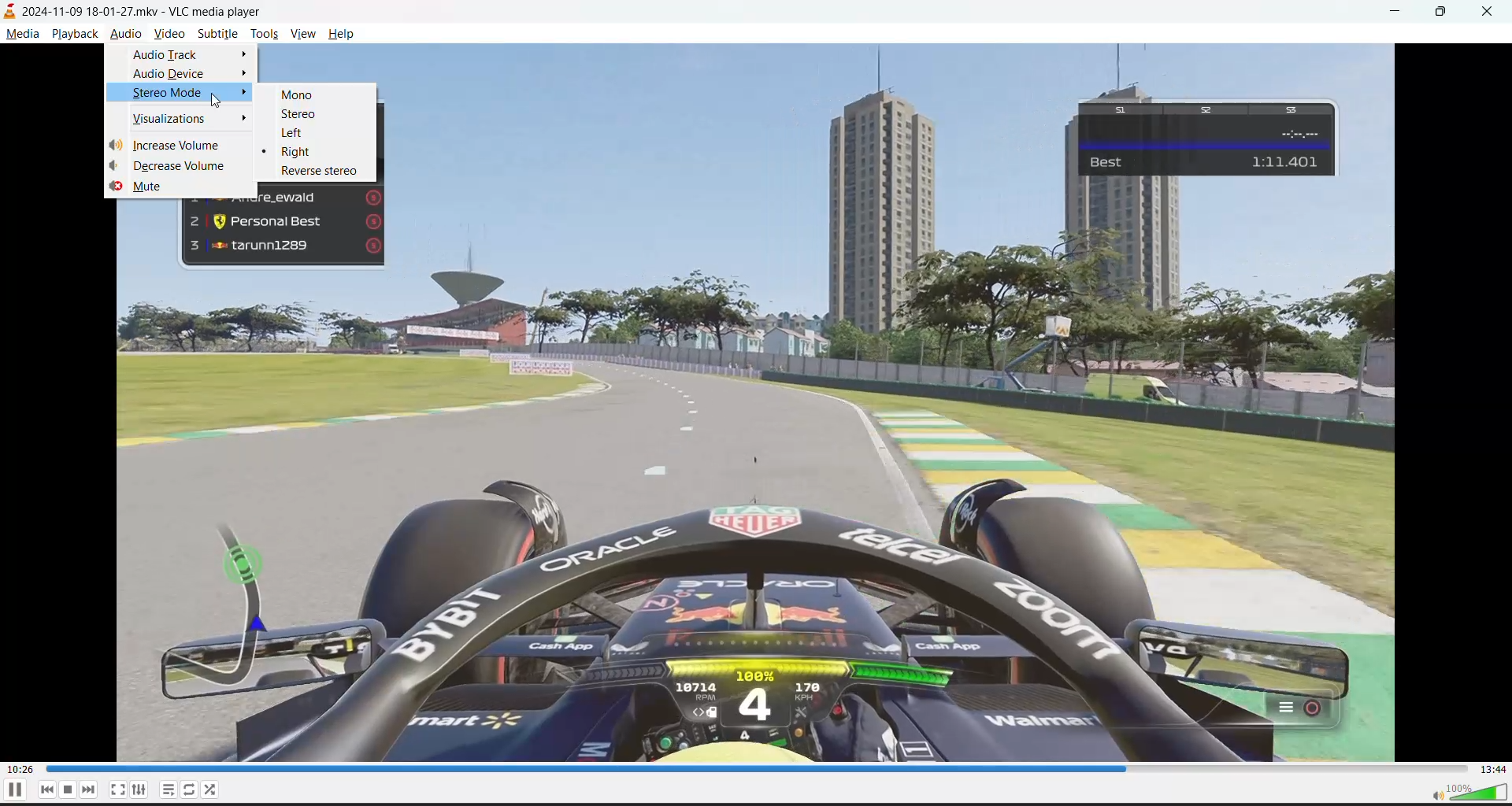  Describe the element at coordinates (297, 152) in the screenshot. I see `right` at that location.